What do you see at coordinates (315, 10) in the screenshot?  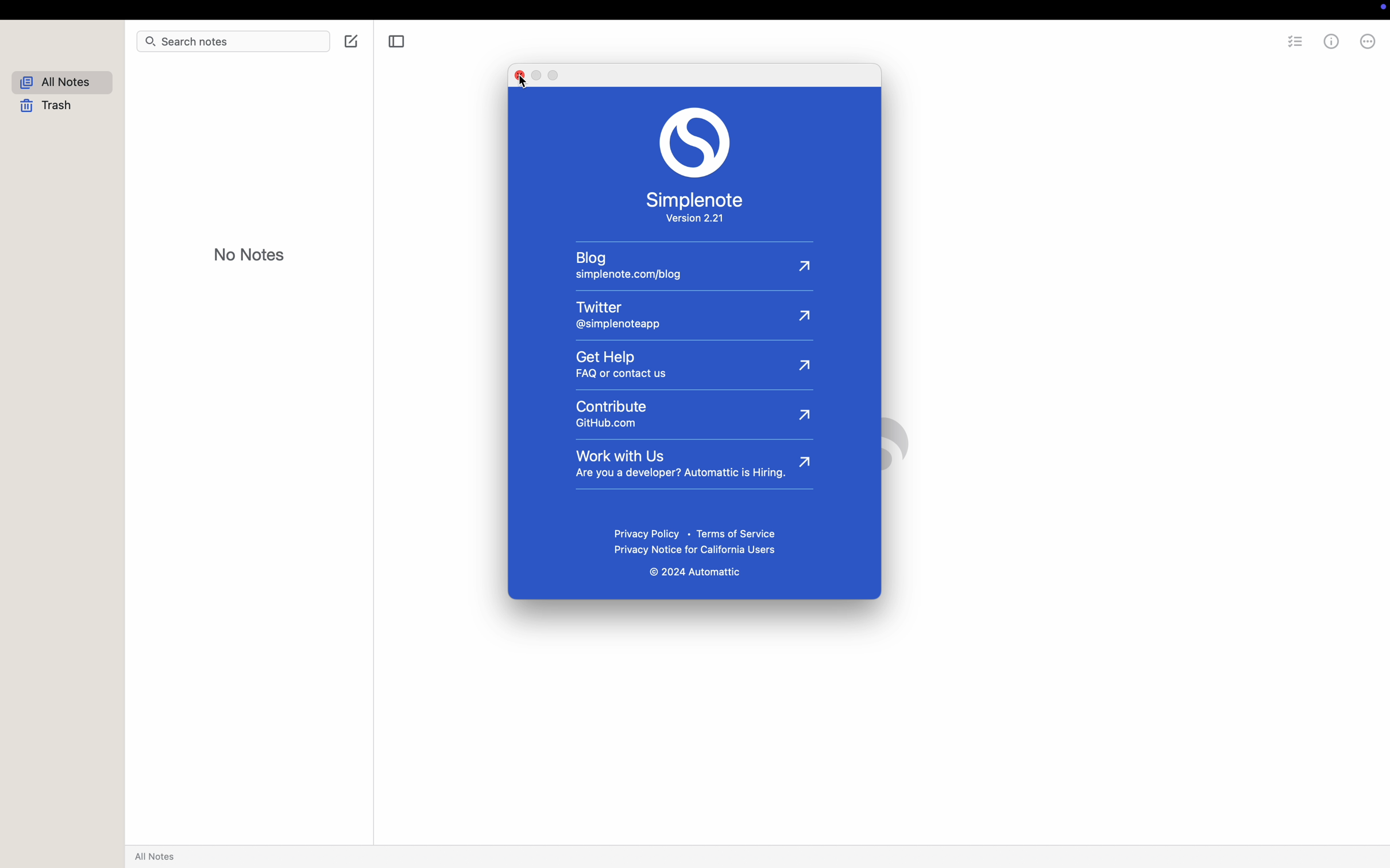 I see `window` at bounding box center [315, 10].